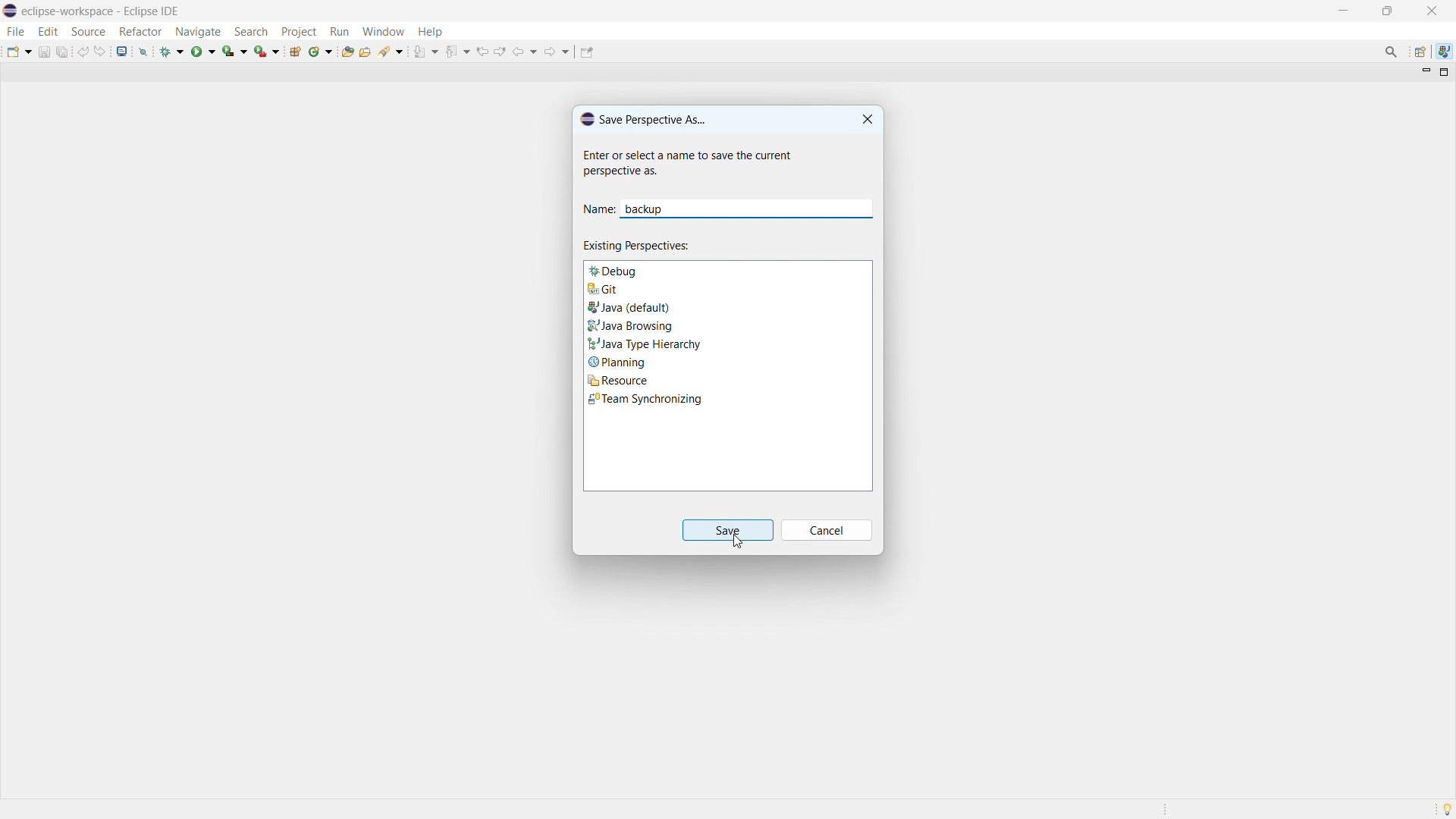 Image resolution: width=1456 pixels, height=819 pixels. Describe the element at coordinates (501, 50) in the screenshot. I see `view next location` at that location.